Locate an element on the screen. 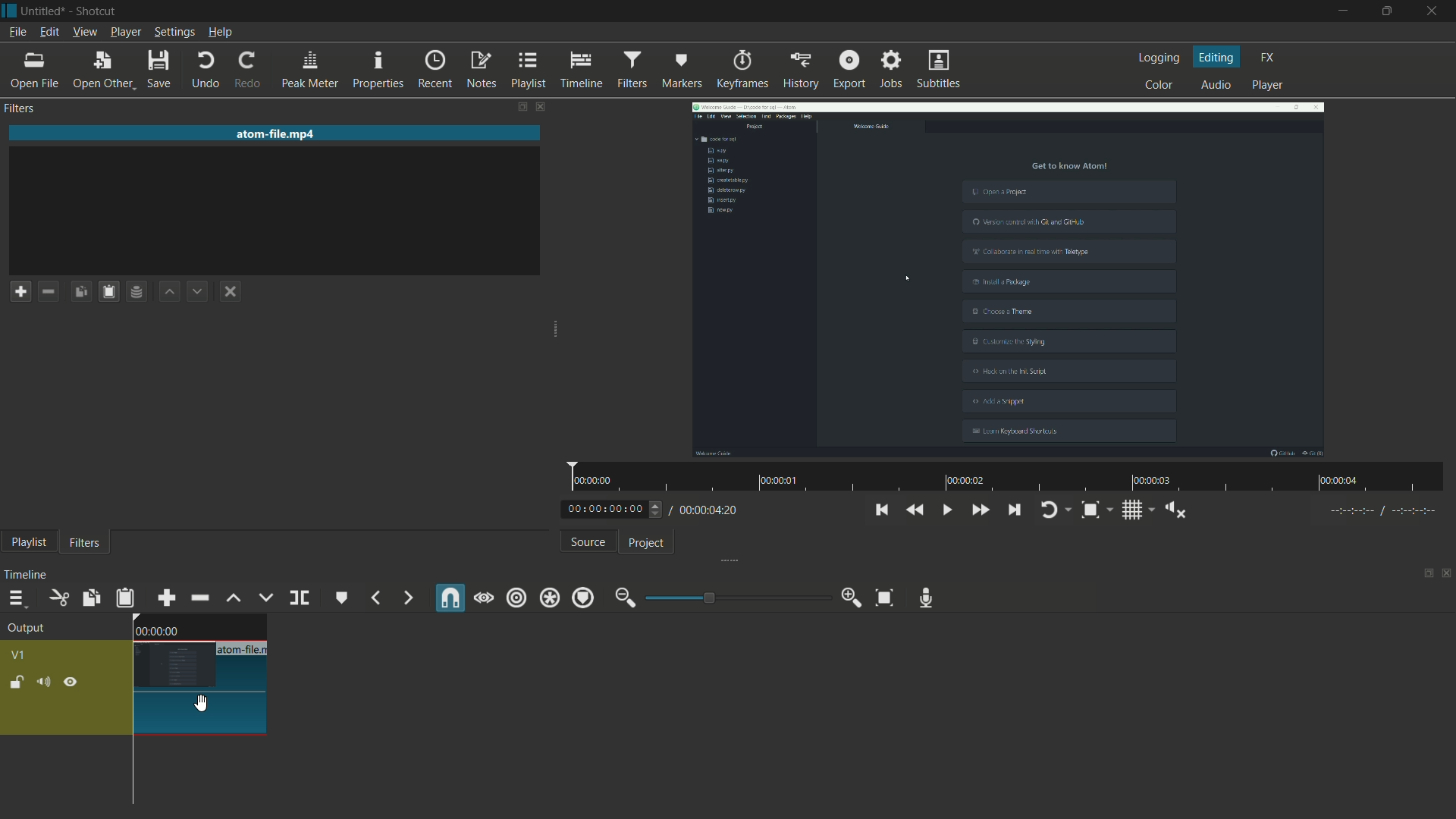 The height and width of the screenshot is (819, 1456). quickly play forward is located at coordinates (980, 508).